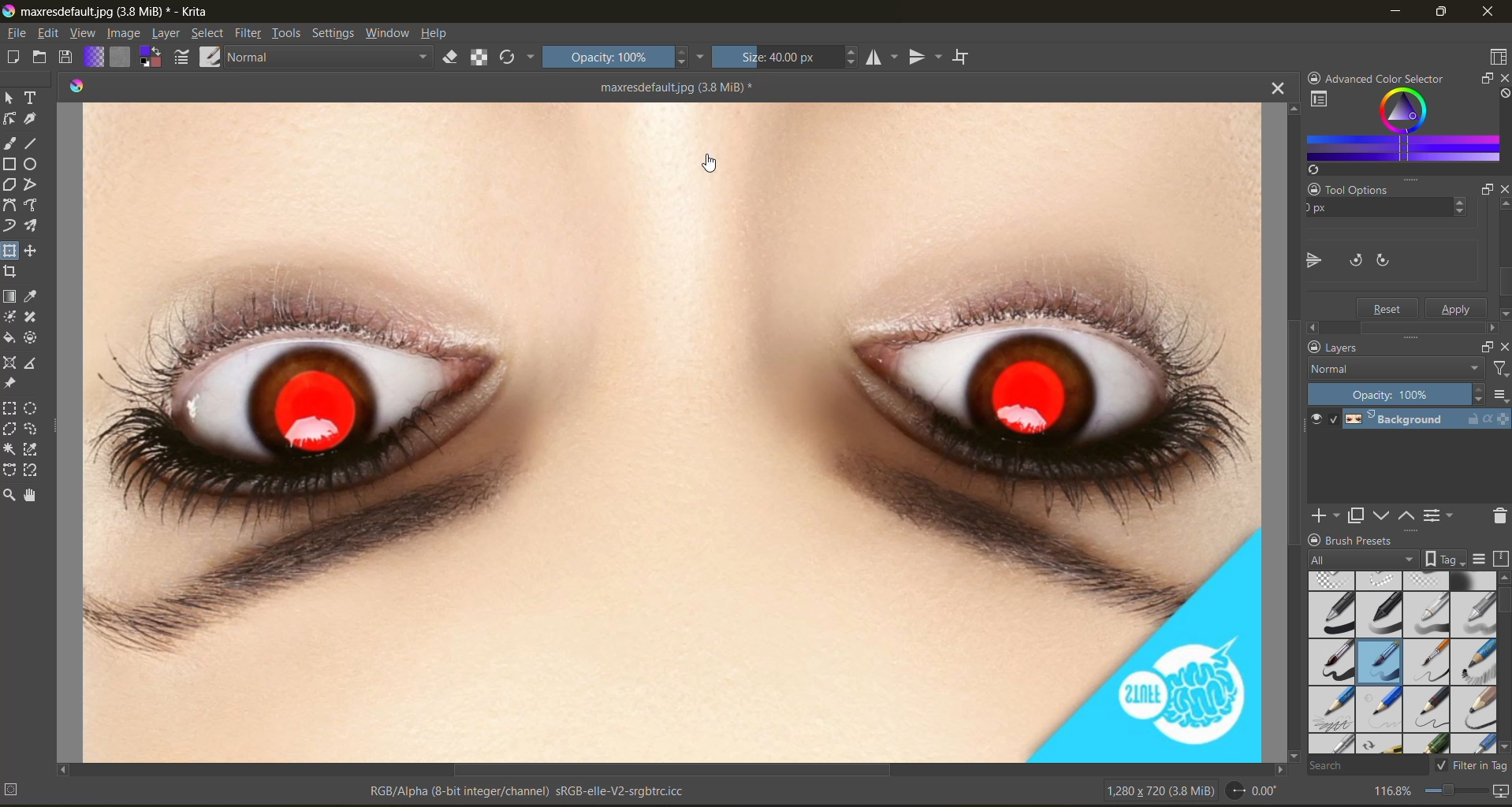 Image resolution: width=1512 pixels, height=807 pixels. What do you see at coordinates (12, 338) in the screenshot?
I see `tool` at bounding box center [12, 338].